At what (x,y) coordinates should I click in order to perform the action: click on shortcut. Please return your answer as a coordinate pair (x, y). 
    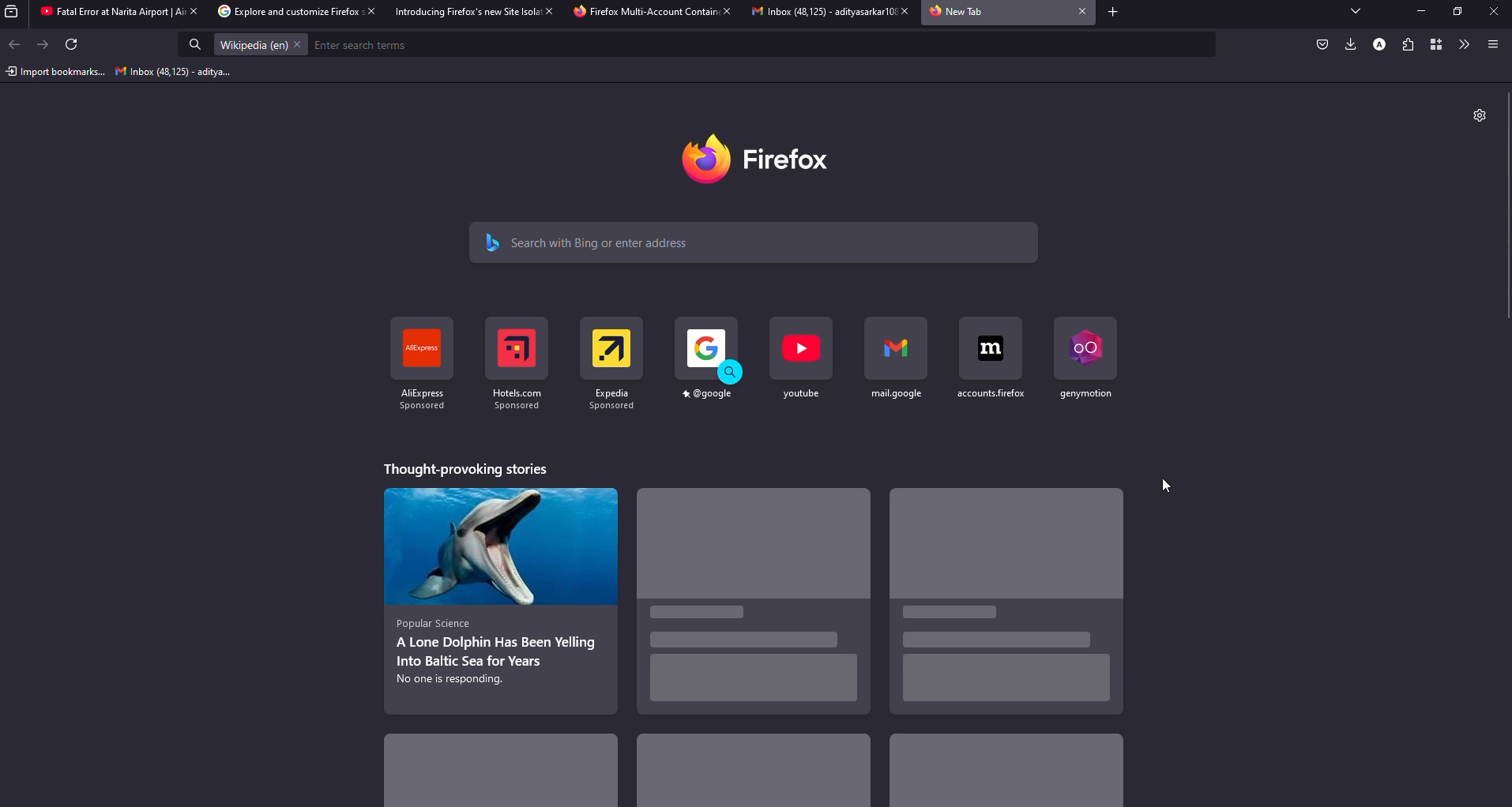
    Looking at the image, I should click on (897, 359).